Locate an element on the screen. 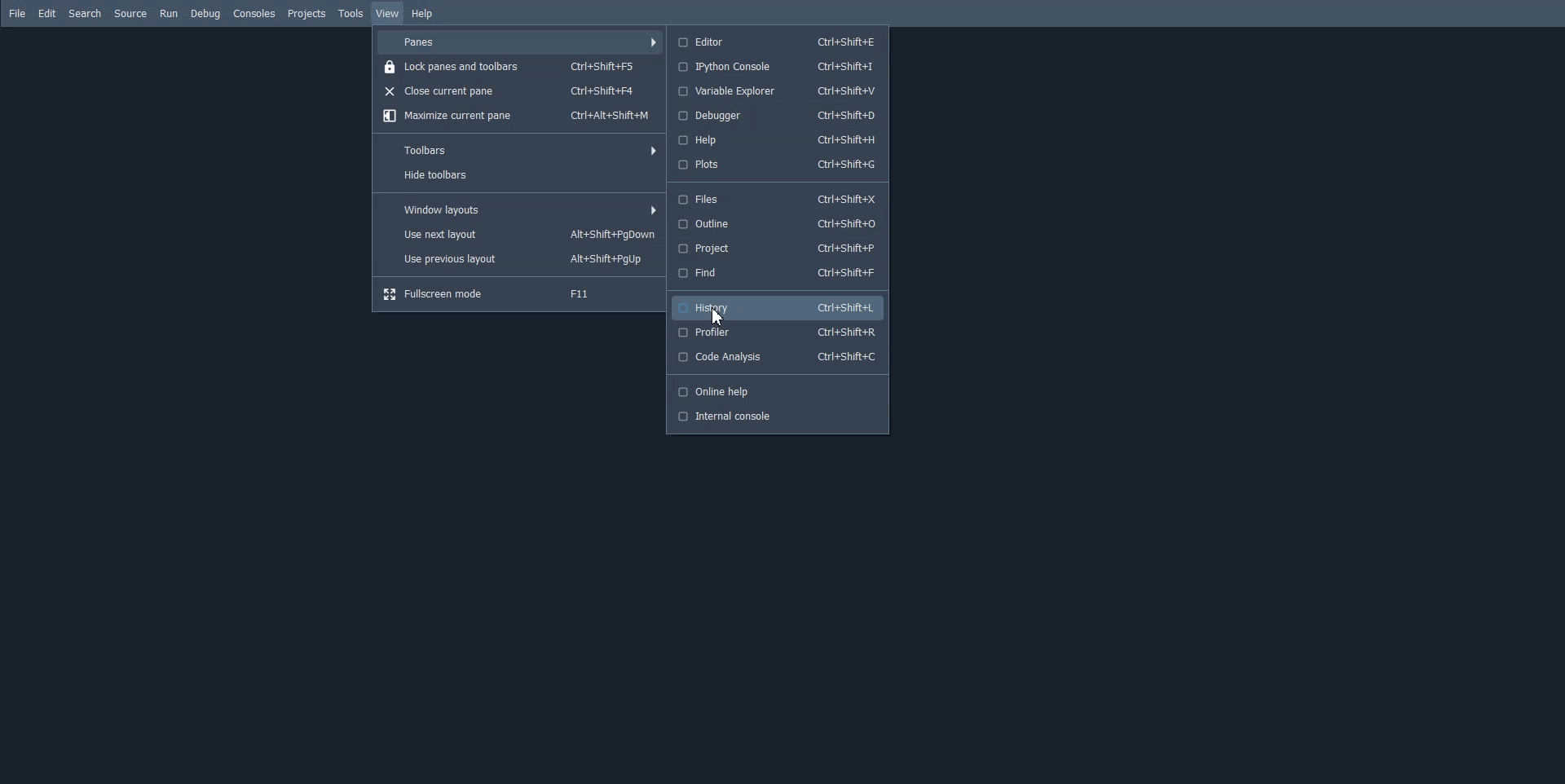 The height and width of the screenshot is (784, 1565). Tools is located at coordinates (350, 13).